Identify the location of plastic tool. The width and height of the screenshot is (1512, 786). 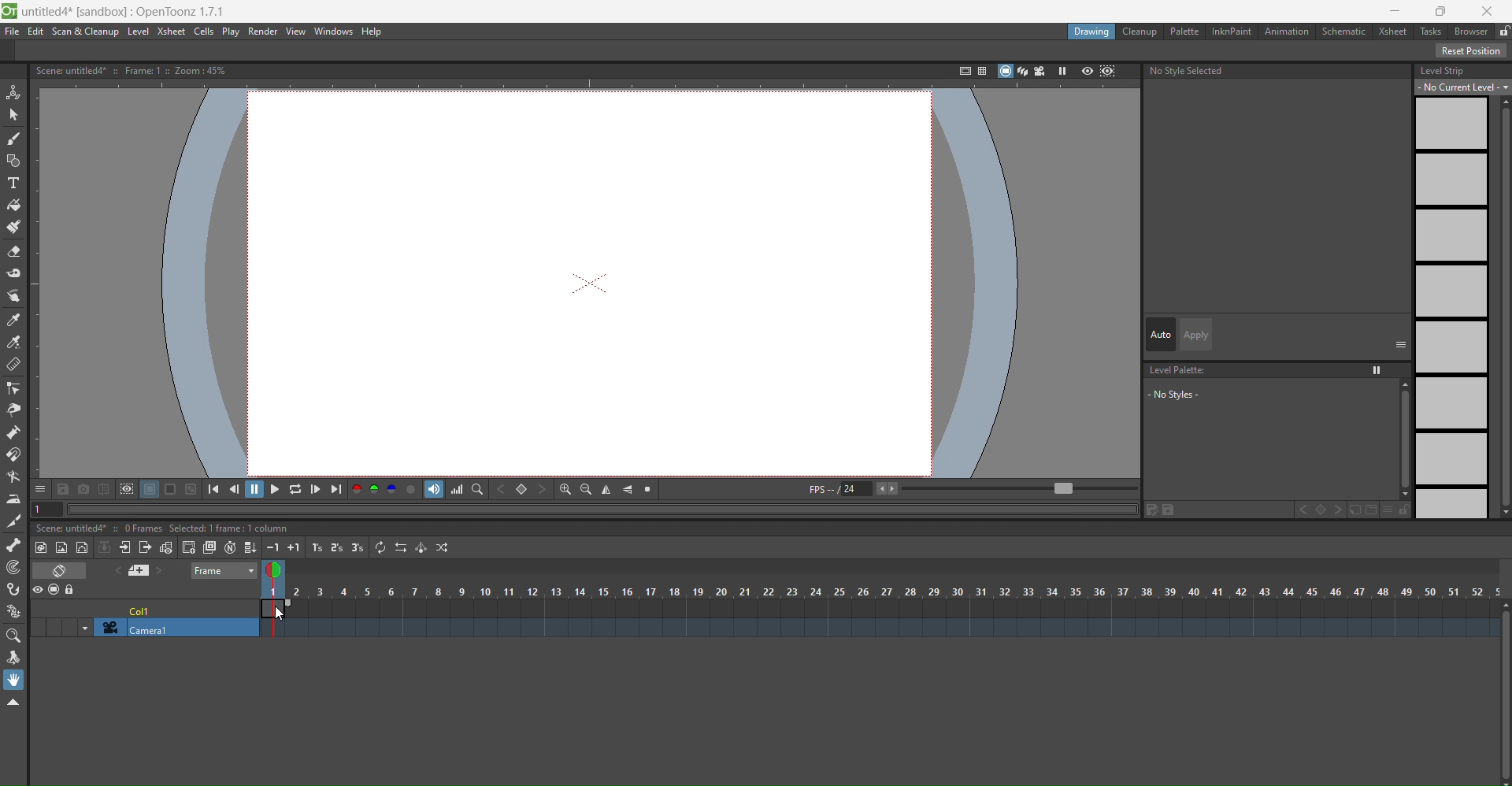
(13, 612).